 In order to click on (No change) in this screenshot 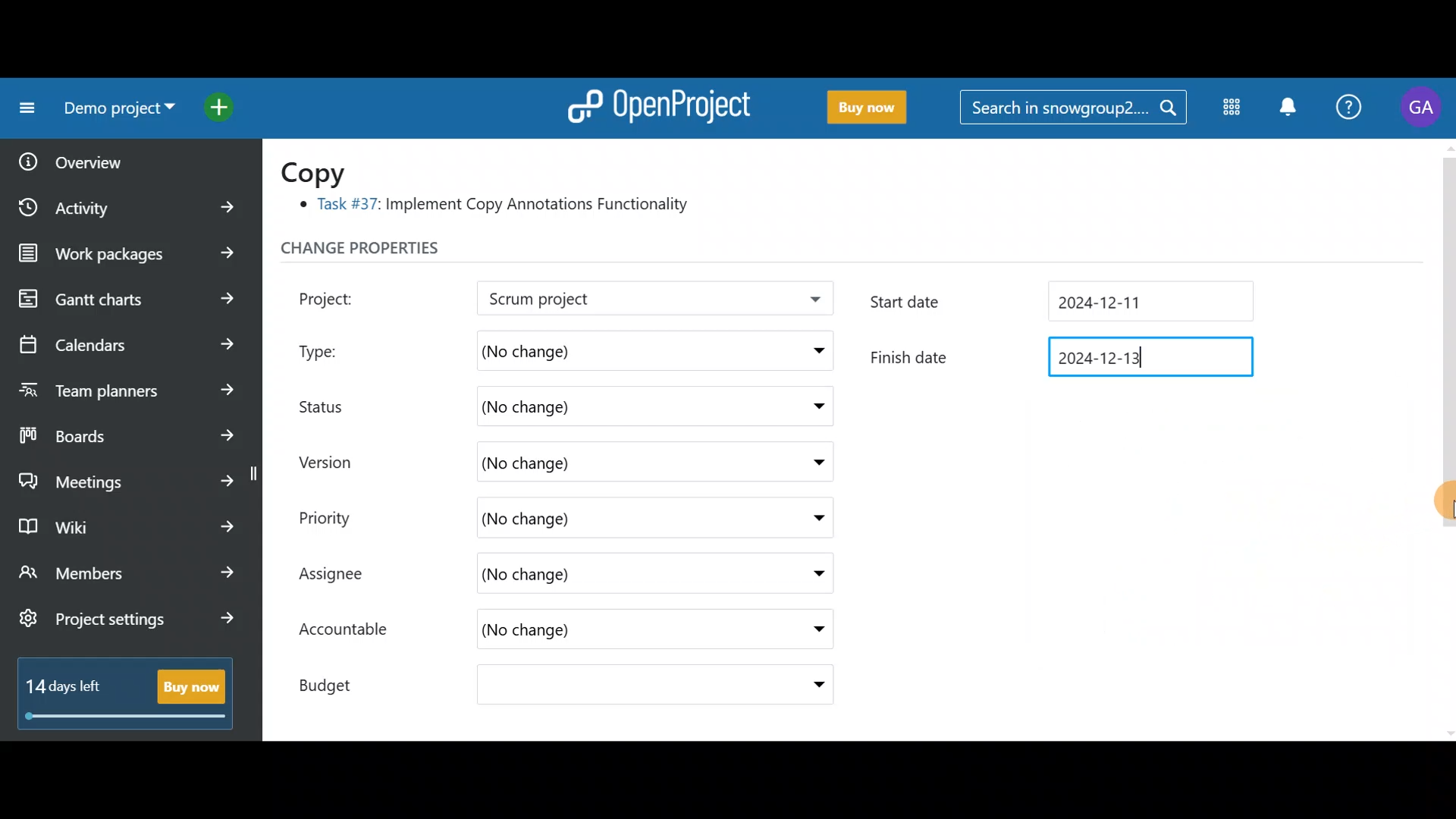, I will do `click(604, 687)`.